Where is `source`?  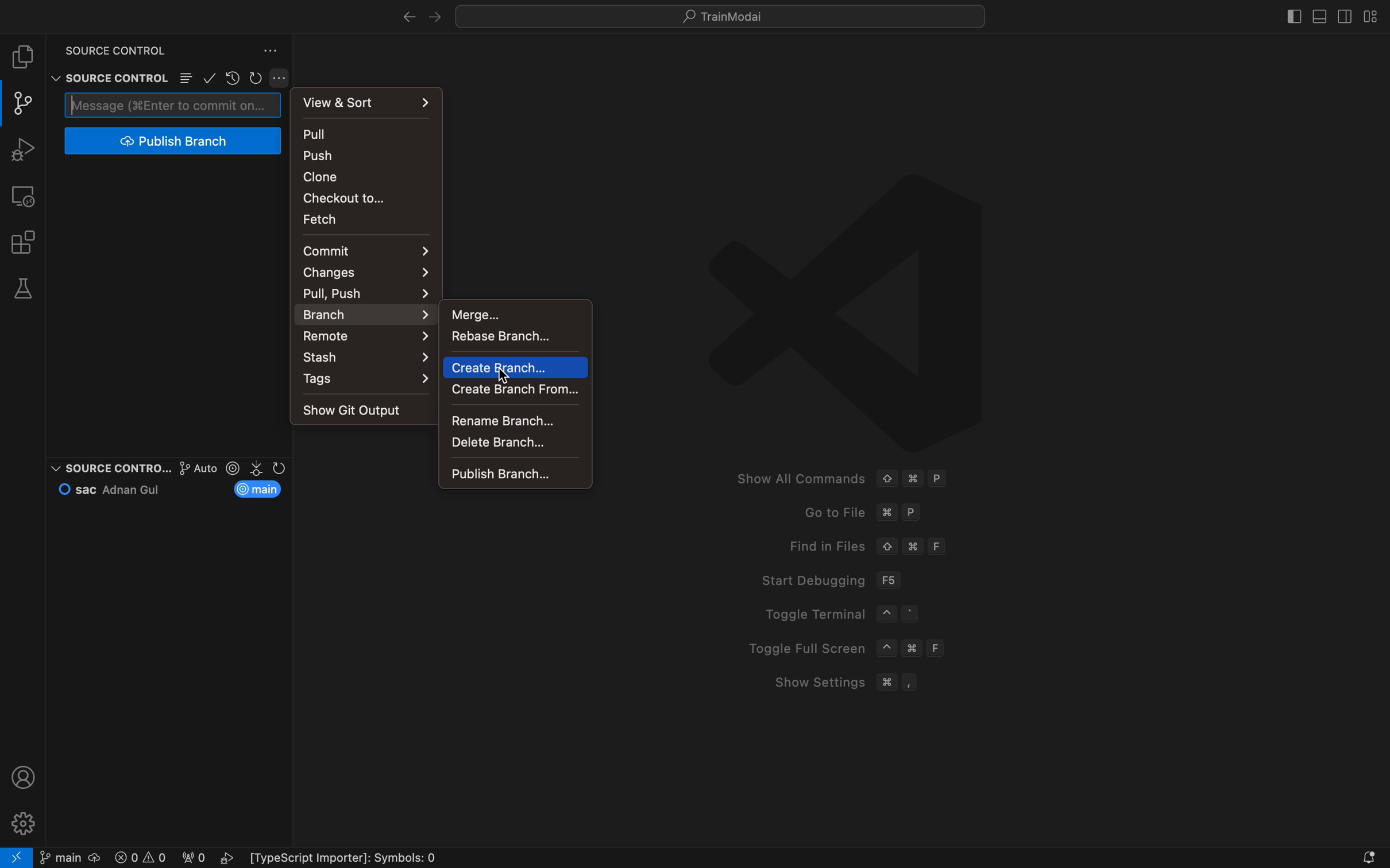 source is located at coordinates (107, 47).